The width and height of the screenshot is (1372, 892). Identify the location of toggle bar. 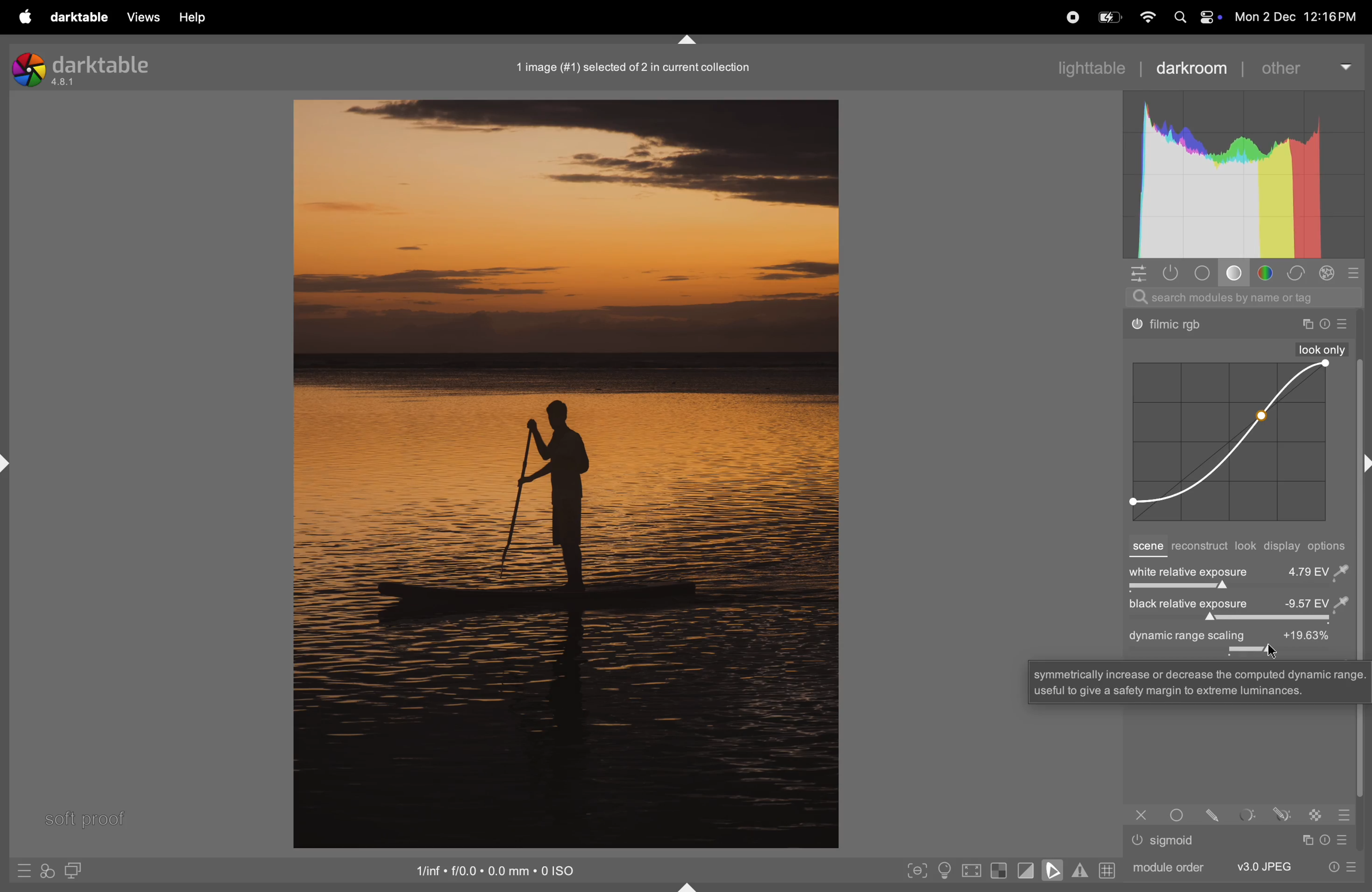
(1236, 619).